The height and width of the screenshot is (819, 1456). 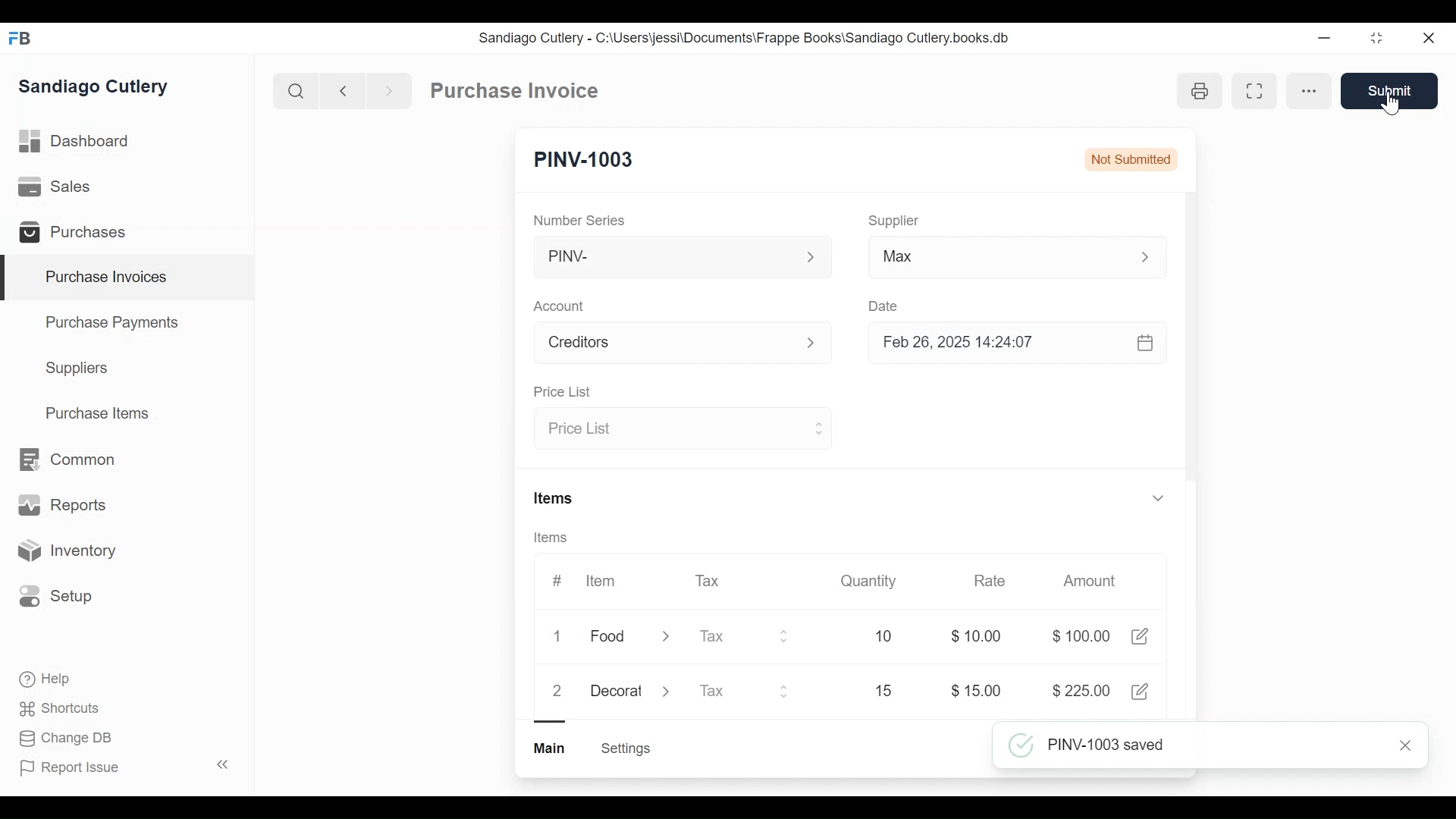 What do you see at coordinates (862, 690) in the screenshot?
I see `15` at bounding box center [862, 690].